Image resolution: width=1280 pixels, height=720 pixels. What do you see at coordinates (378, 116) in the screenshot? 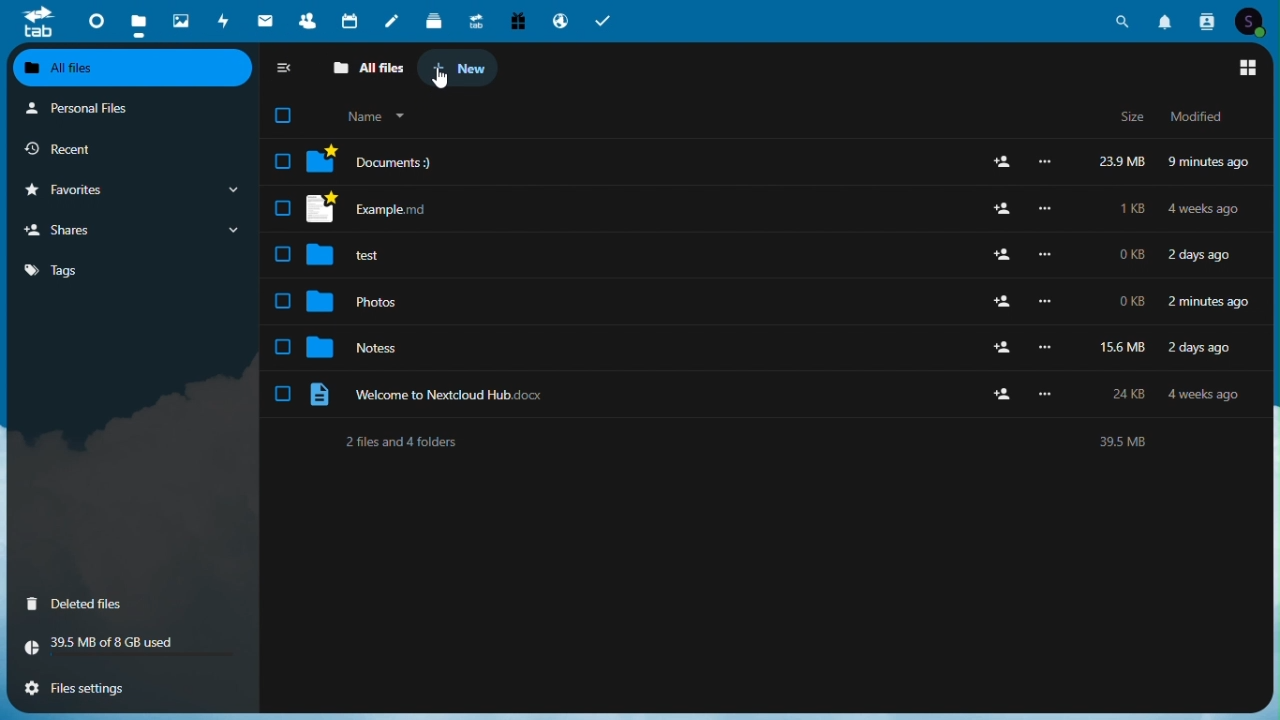
I see `Name ` at bounding box center [378, 116].